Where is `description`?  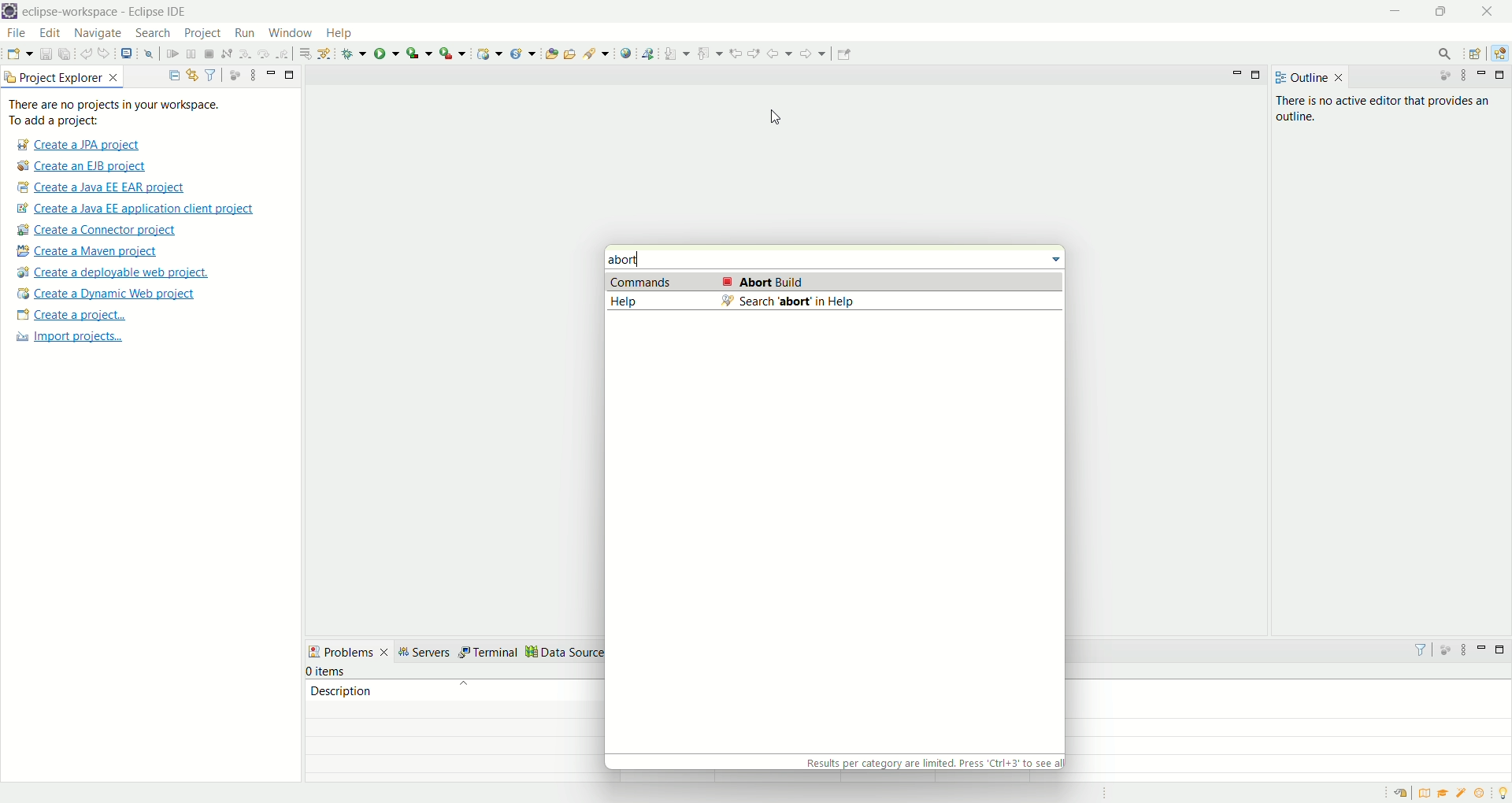
description is located at coordinates (464, 690).